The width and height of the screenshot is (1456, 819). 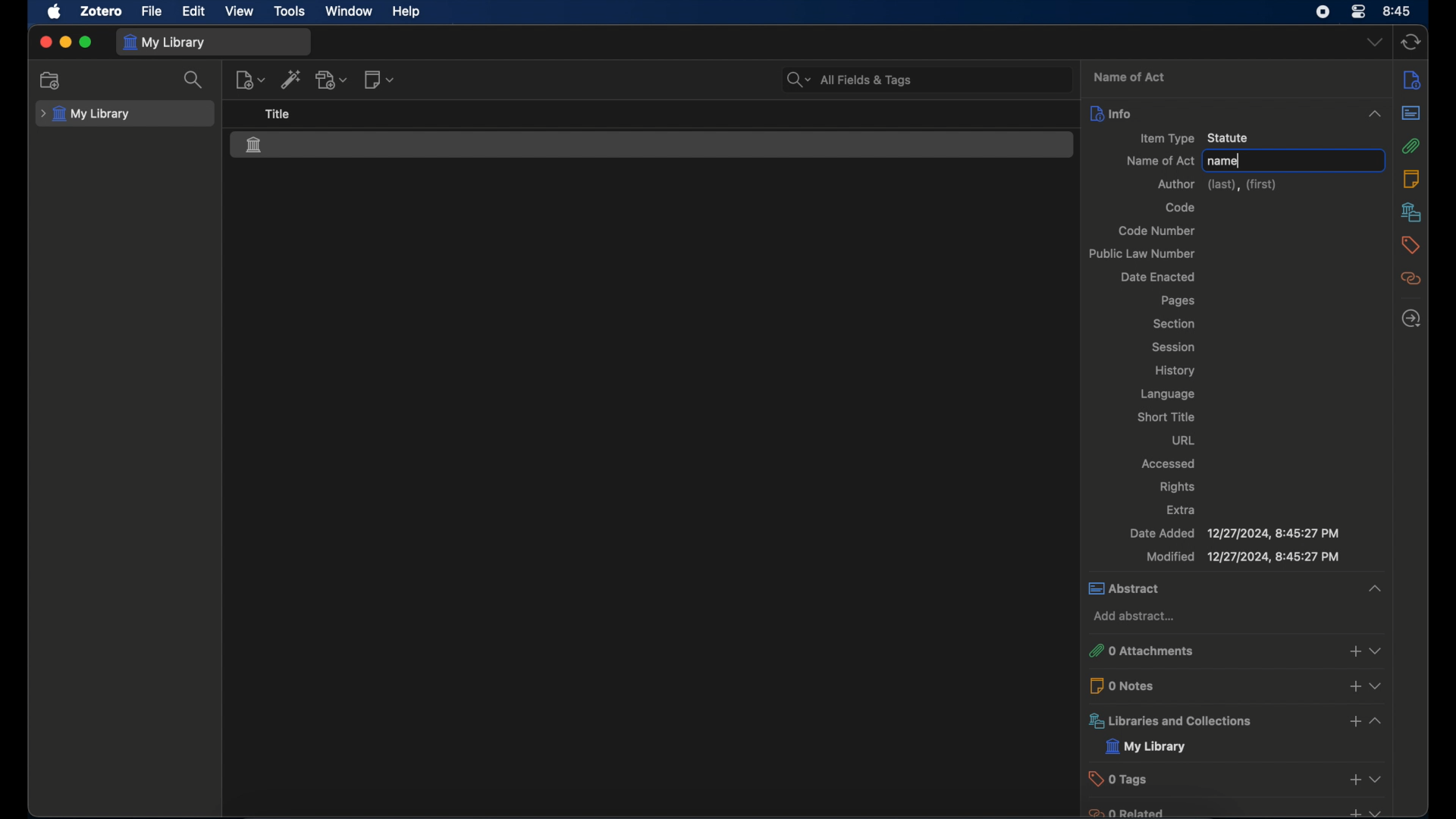 I want to click on 0 tags, so click(x=1210, y=778).